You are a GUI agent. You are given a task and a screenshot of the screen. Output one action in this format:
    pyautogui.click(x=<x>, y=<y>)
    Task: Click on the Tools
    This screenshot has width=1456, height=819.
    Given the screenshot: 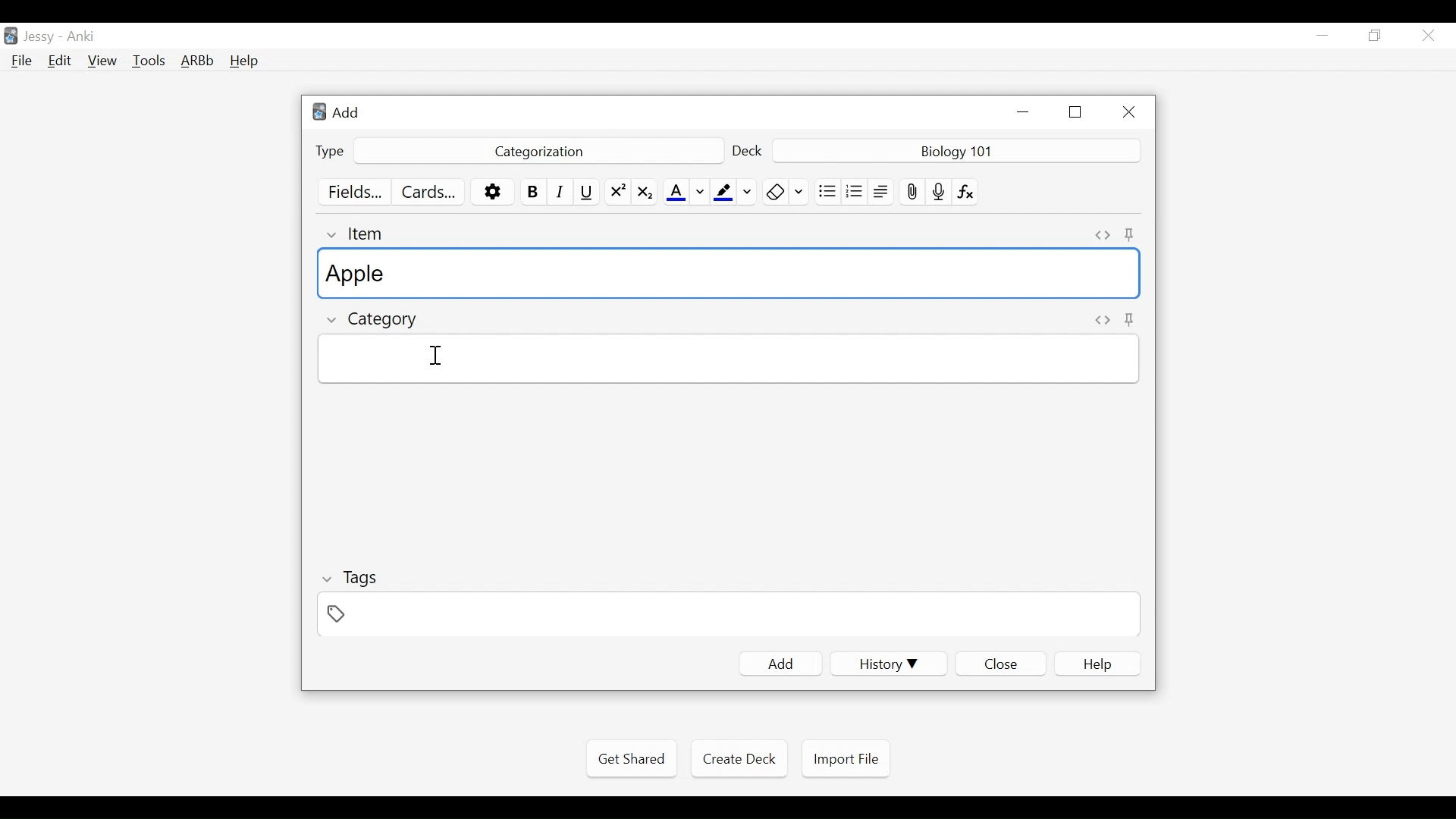 What is the action you would take?
    pyautogui.click(x=149, y=60)
    